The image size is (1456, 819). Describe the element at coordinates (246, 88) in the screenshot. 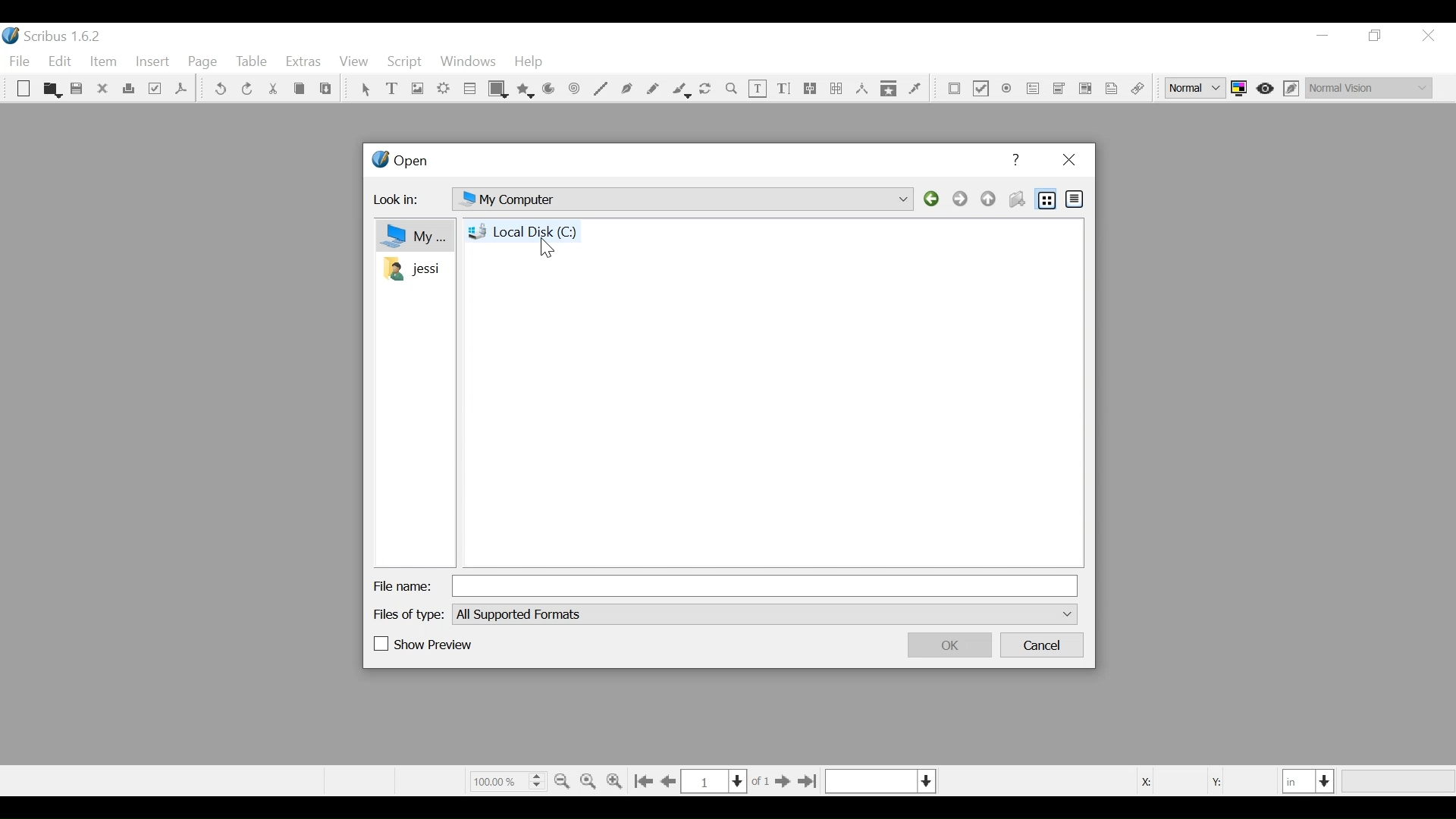

I see `Redo` at that location.